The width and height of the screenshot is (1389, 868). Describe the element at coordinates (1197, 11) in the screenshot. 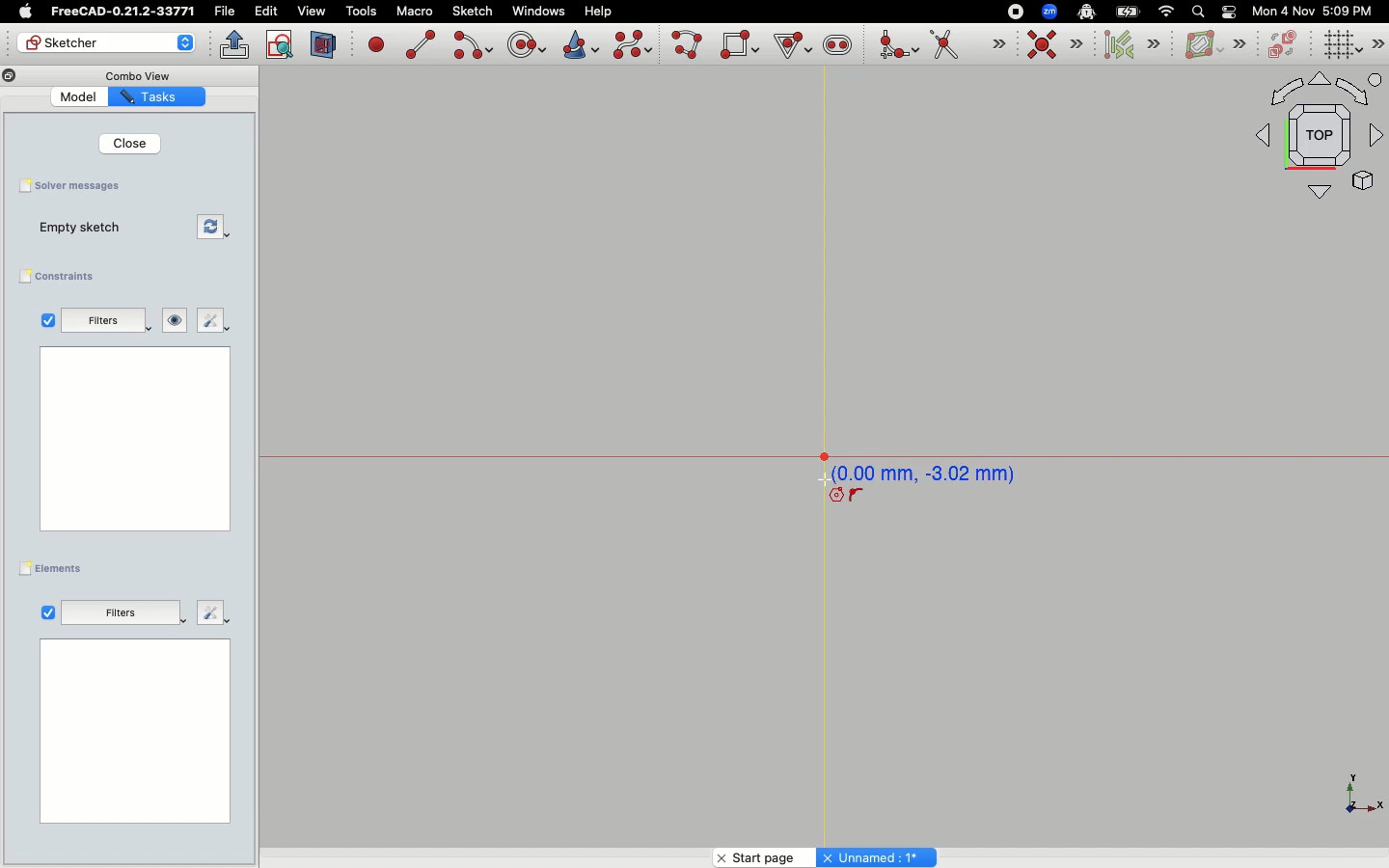

I see `Search` at that location.